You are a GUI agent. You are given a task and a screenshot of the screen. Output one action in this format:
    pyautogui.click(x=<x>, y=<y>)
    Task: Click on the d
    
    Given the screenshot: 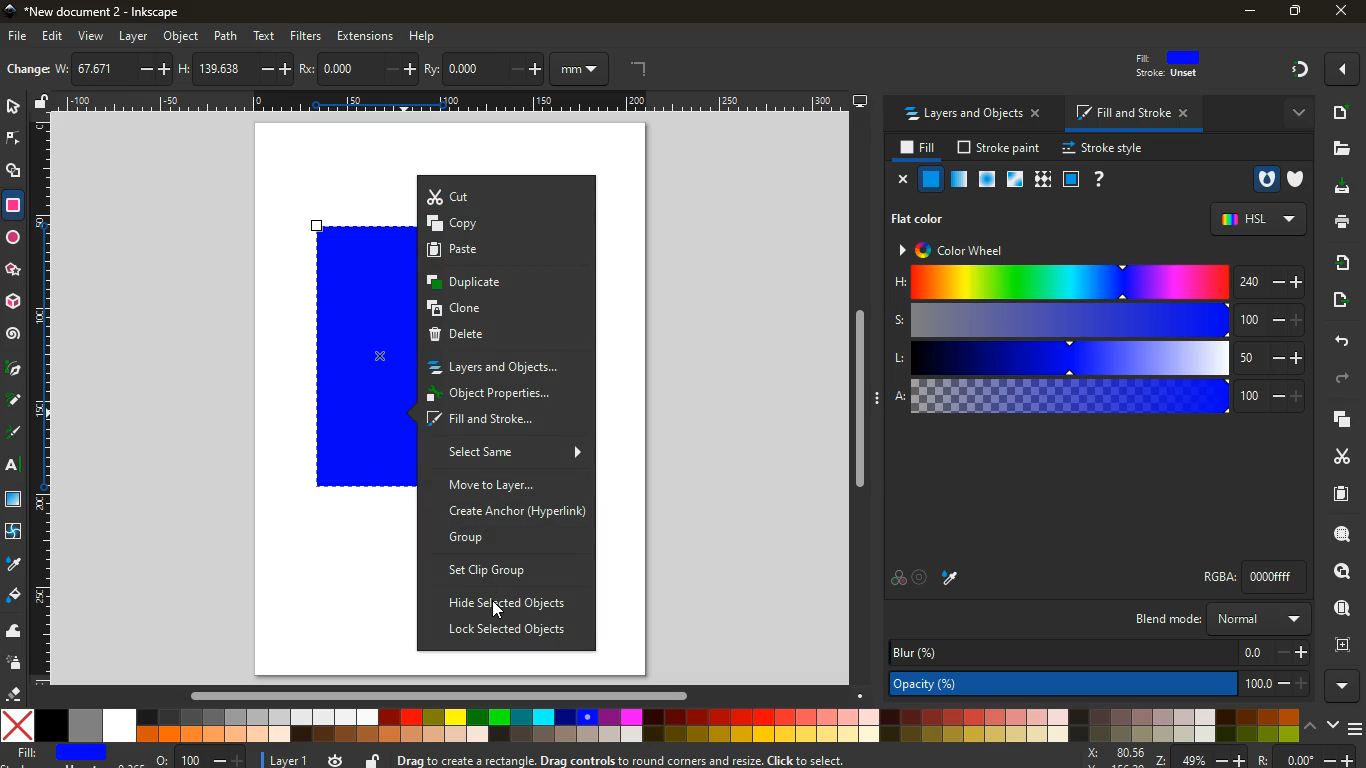 What is the action you would take?
    pyautogui.click(x=15, y=400)
    